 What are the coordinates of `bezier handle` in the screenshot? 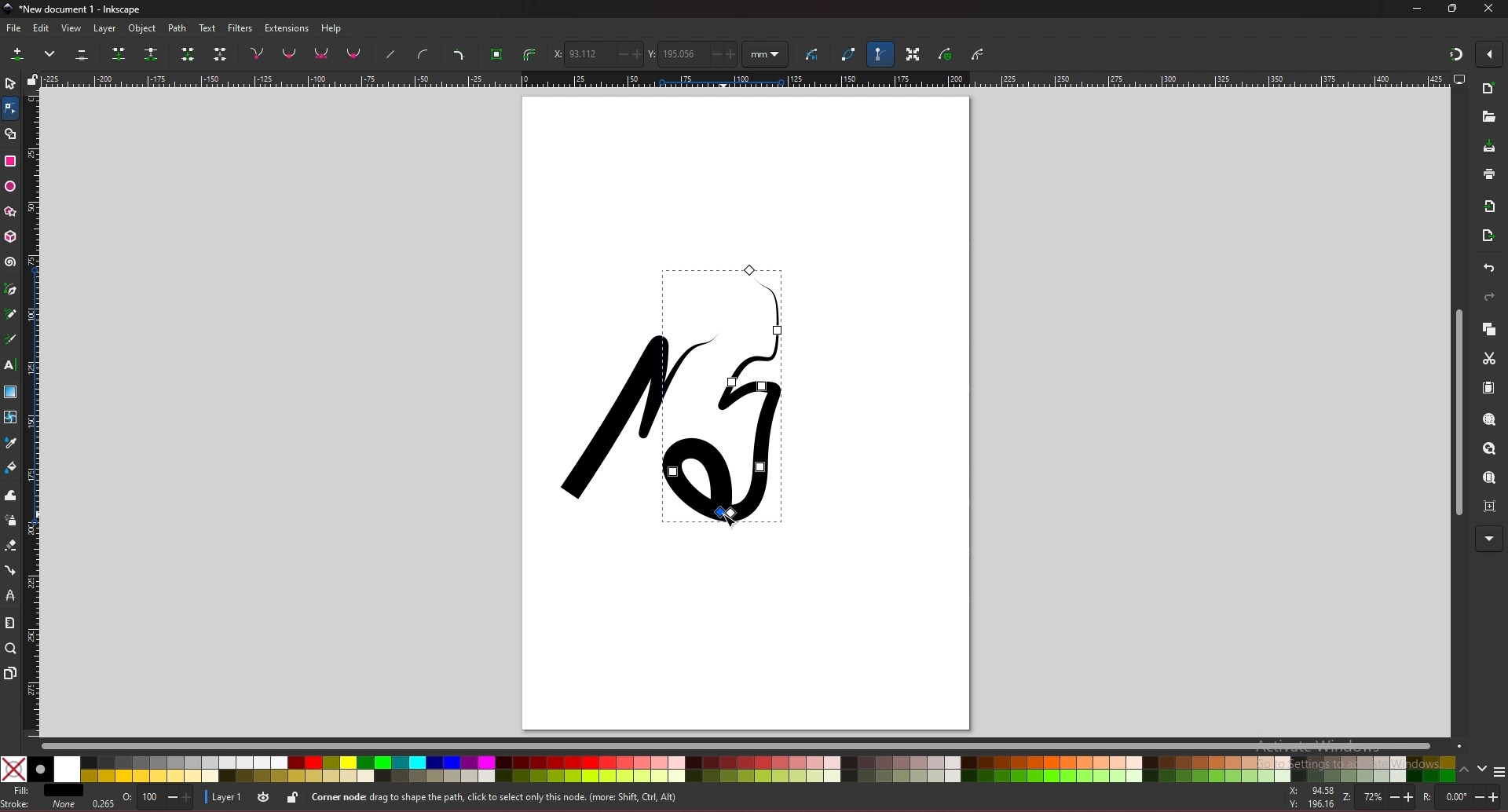 It's located at (879, 53).